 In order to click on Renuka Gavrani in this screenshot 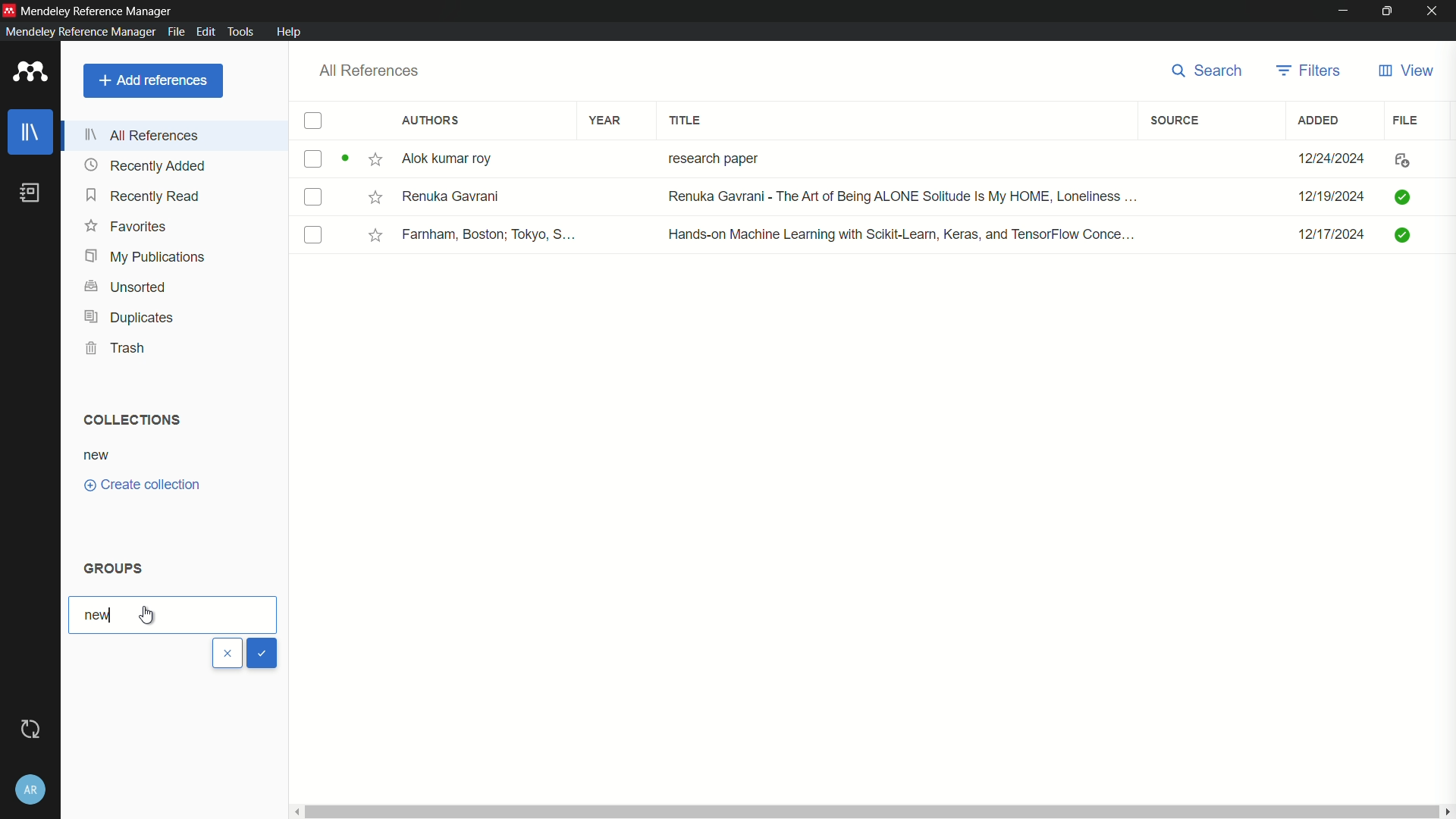, I will do `click(451, 196)`.